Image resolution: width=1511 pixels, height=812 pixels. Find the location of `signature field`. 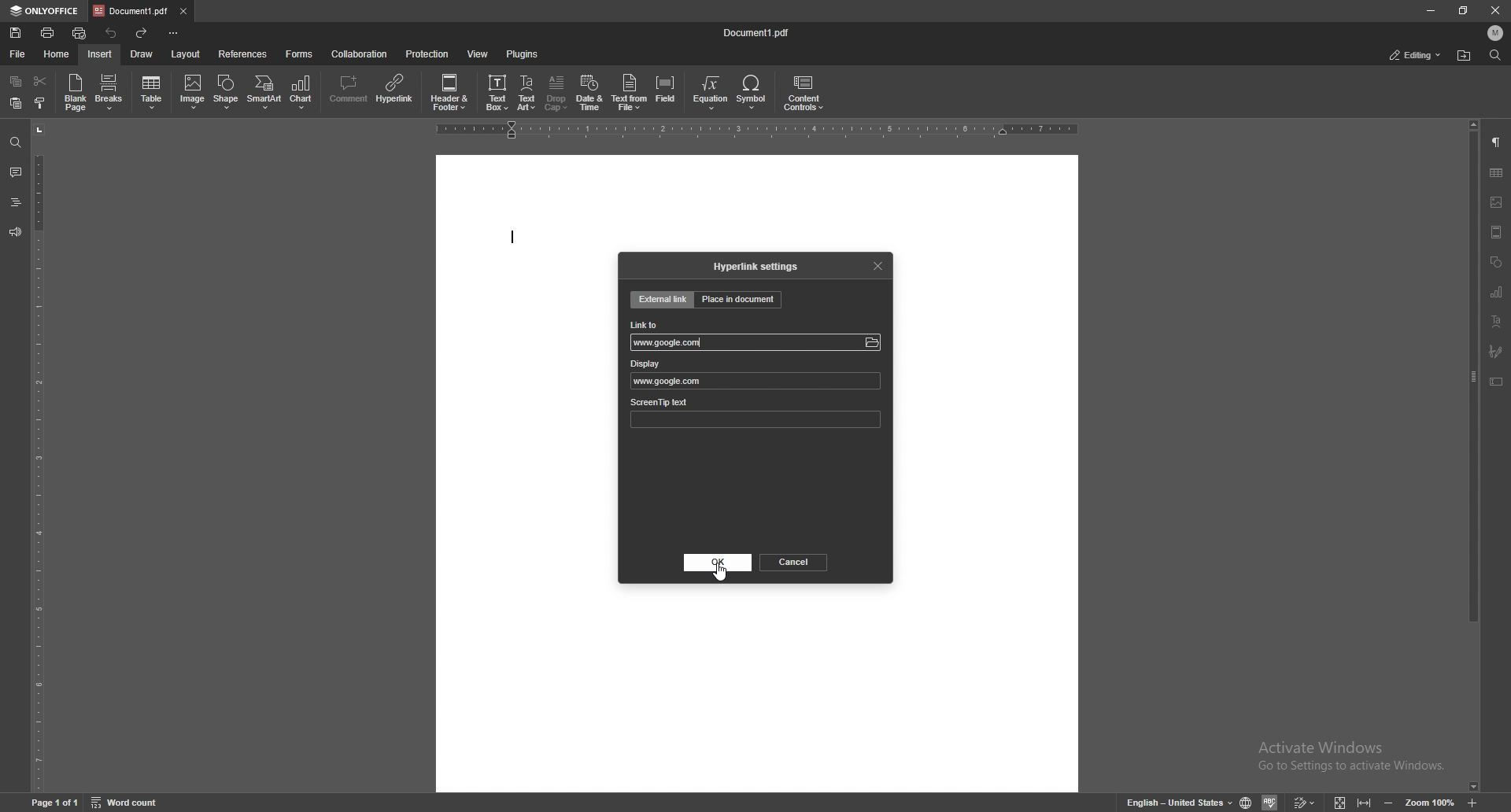

signature field is located at coordinates (1496, 352).